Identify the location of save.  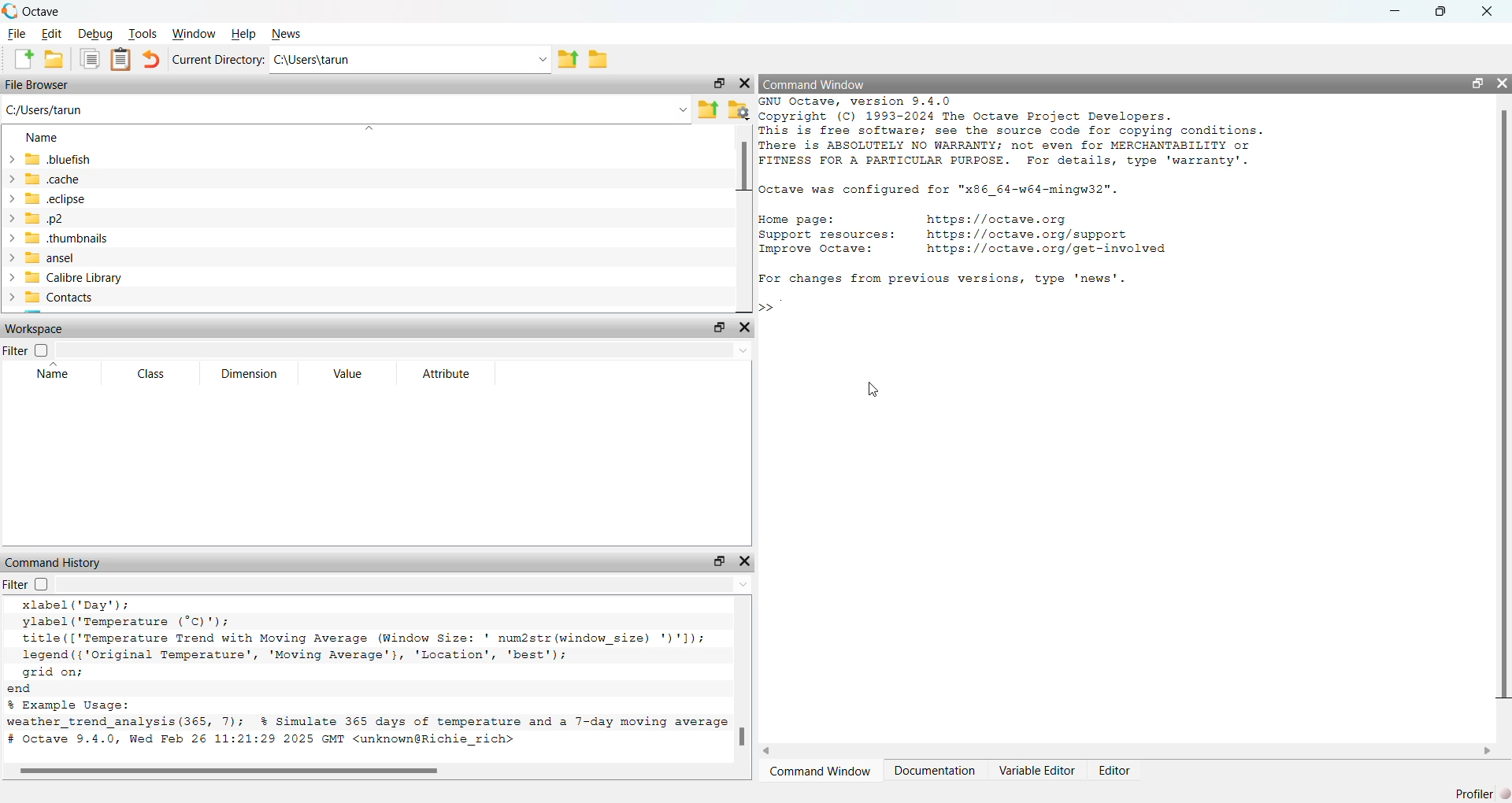
(597, 60).